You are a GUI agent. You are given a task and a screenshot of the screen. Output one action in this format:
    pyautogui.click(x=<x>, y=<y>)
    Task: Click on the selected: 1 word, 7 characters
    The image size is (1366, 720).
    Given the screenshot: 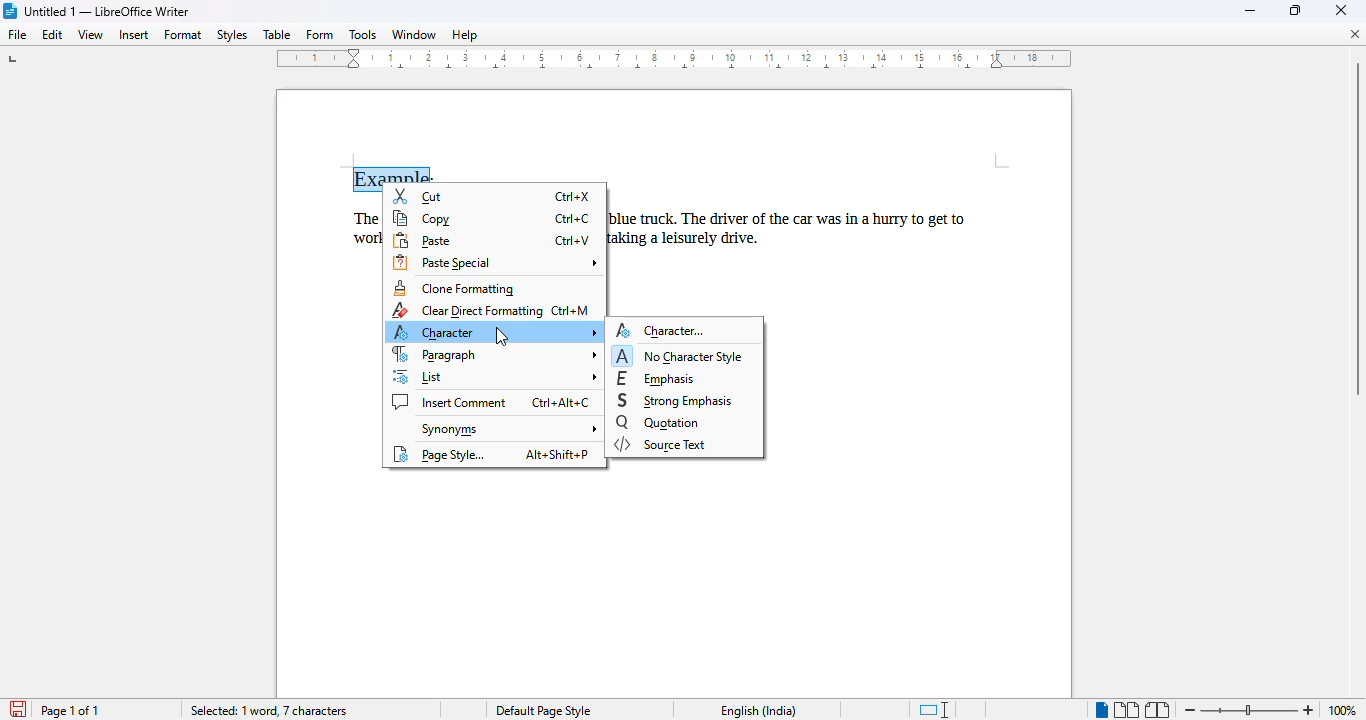 What is the action you would take?
    pyautogui.click(x=271, y=711)
    